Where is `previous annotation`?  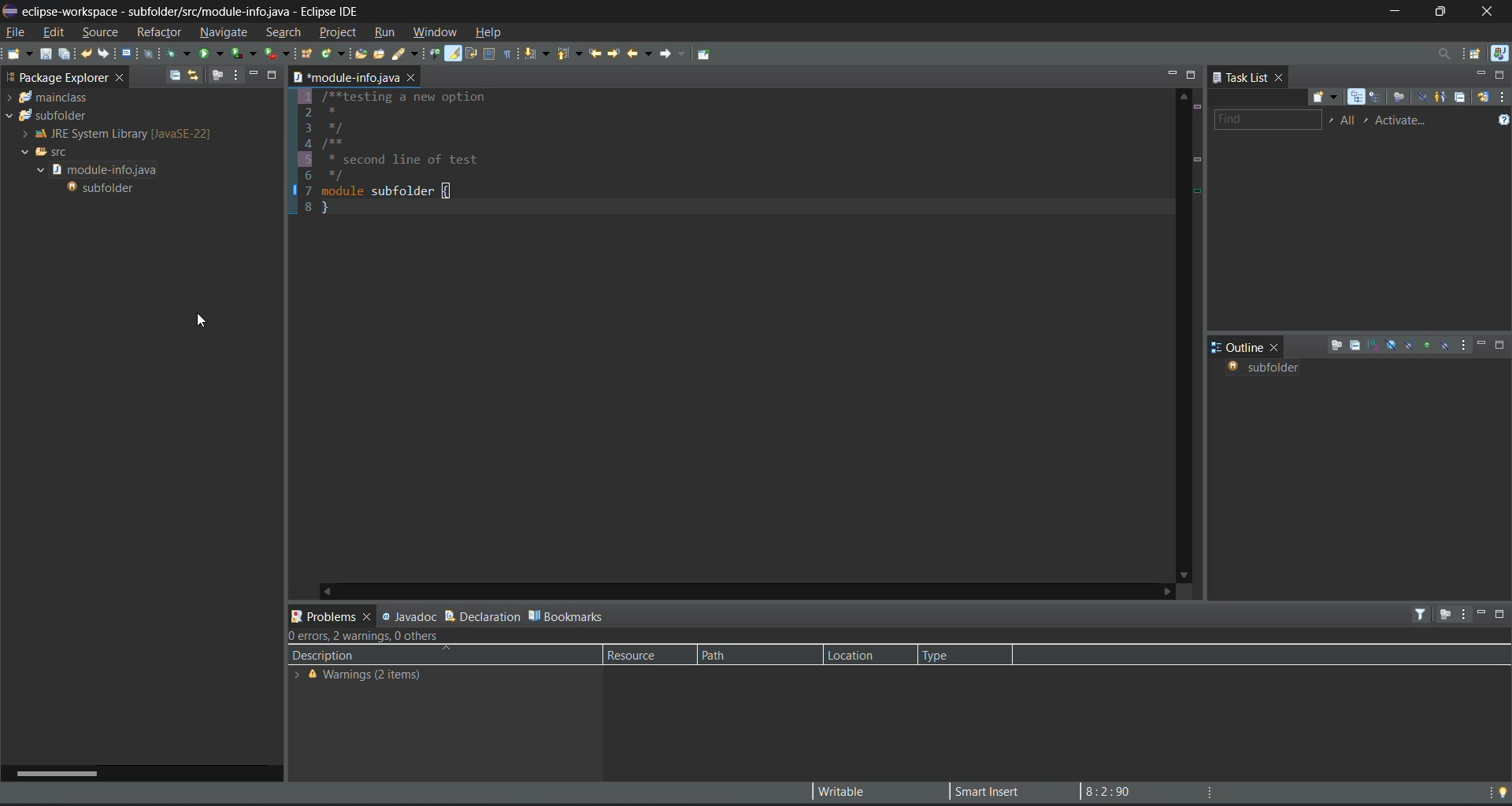
previous annotation is located at coordinates (573, 54).